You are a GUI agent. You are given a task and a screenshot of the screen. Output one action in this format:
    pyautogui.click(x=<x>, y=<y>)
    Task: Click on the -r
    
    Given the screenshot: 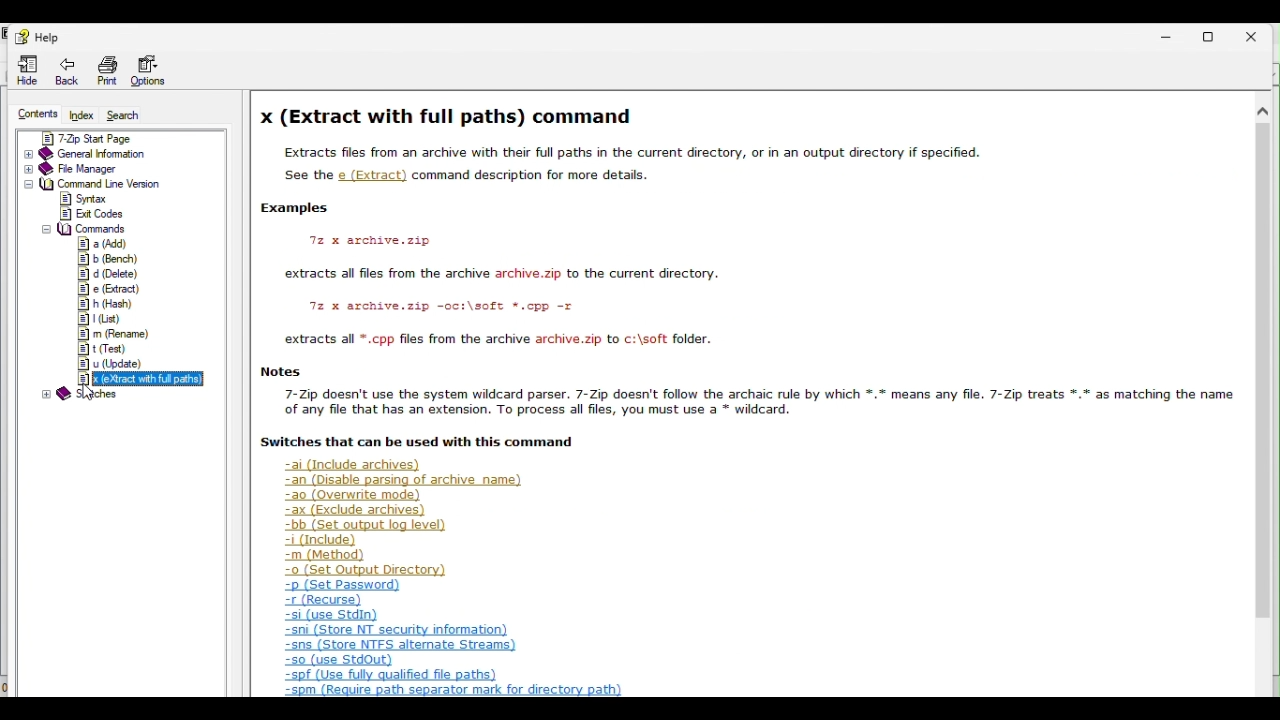 What is the action you would take?
    pyautogui.click(x=326, y=600)
    